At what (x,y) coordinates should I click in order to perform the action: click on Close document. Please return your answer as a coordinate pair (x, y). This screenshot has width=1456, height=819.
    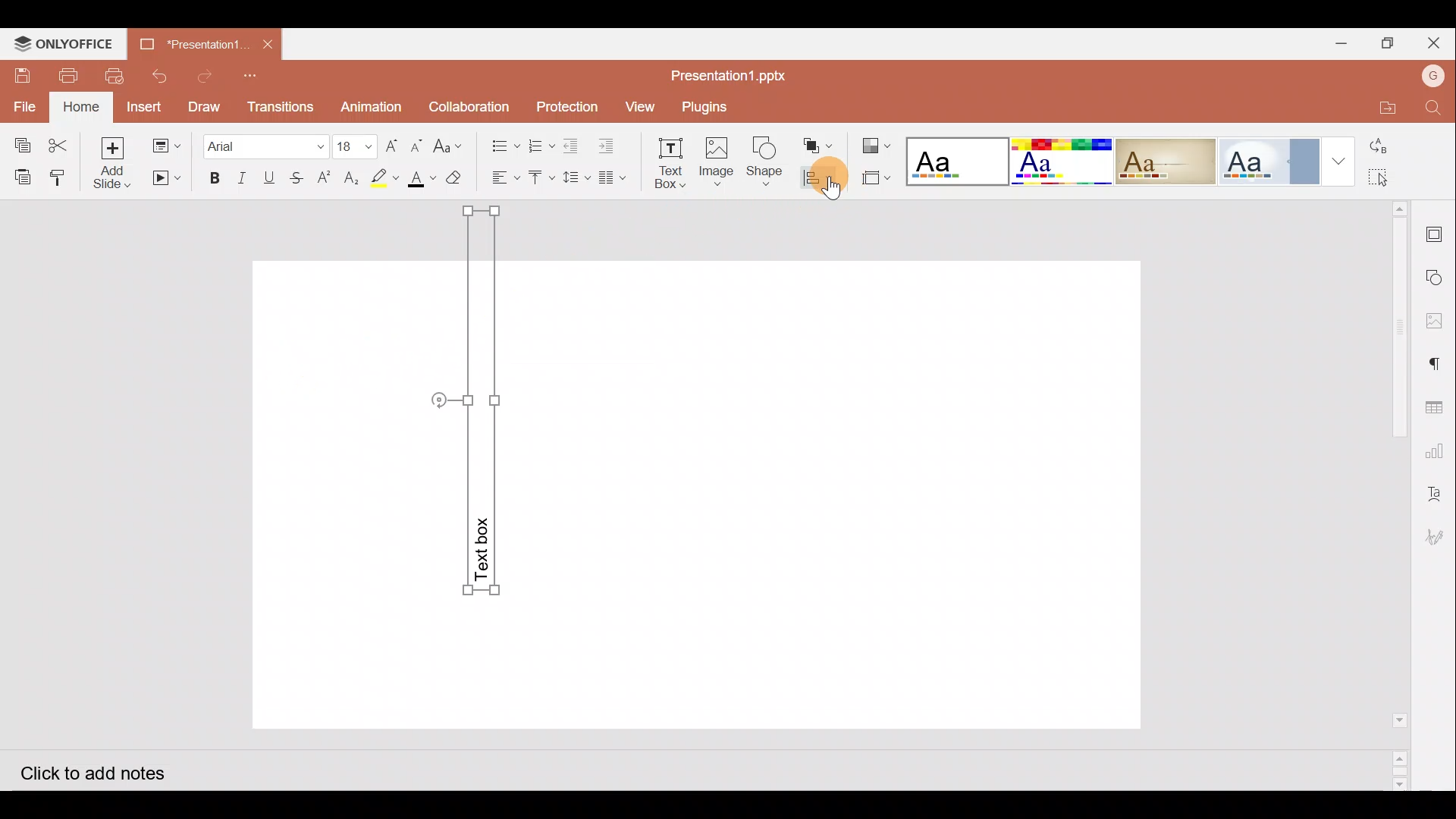
    Looking at the image, I should click on (267, 42).